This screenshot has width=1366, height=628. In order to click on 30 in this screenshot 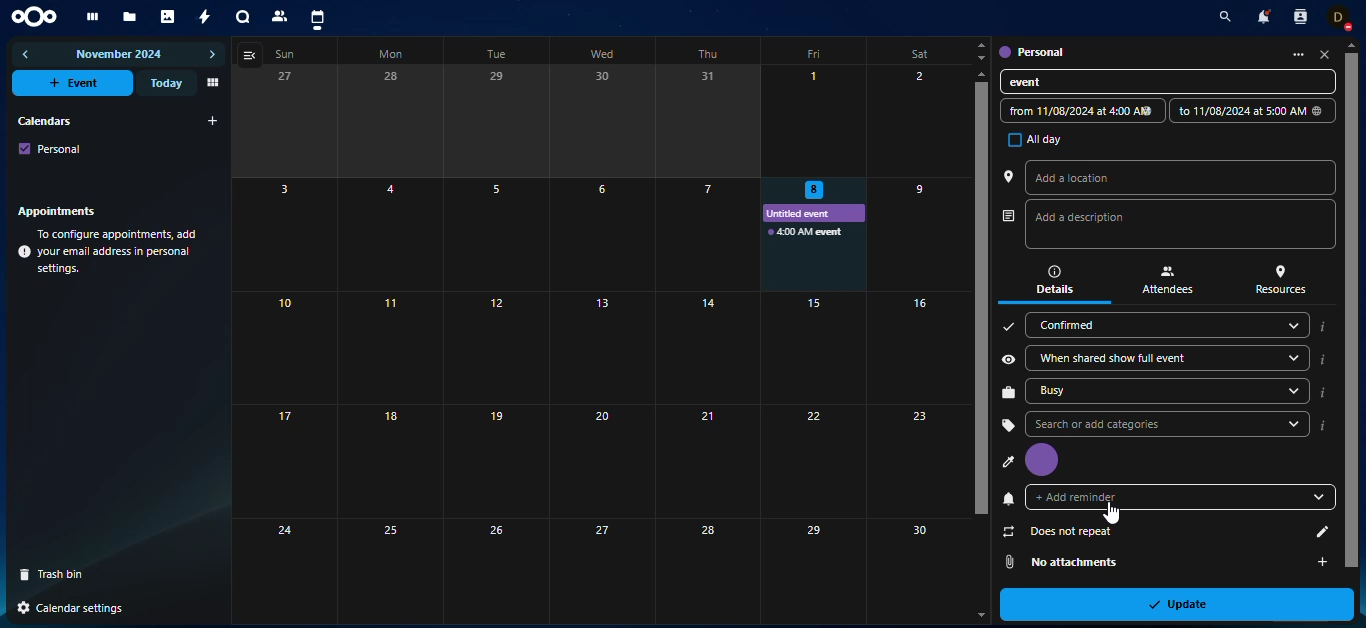, I will do `click(914, 560)`.